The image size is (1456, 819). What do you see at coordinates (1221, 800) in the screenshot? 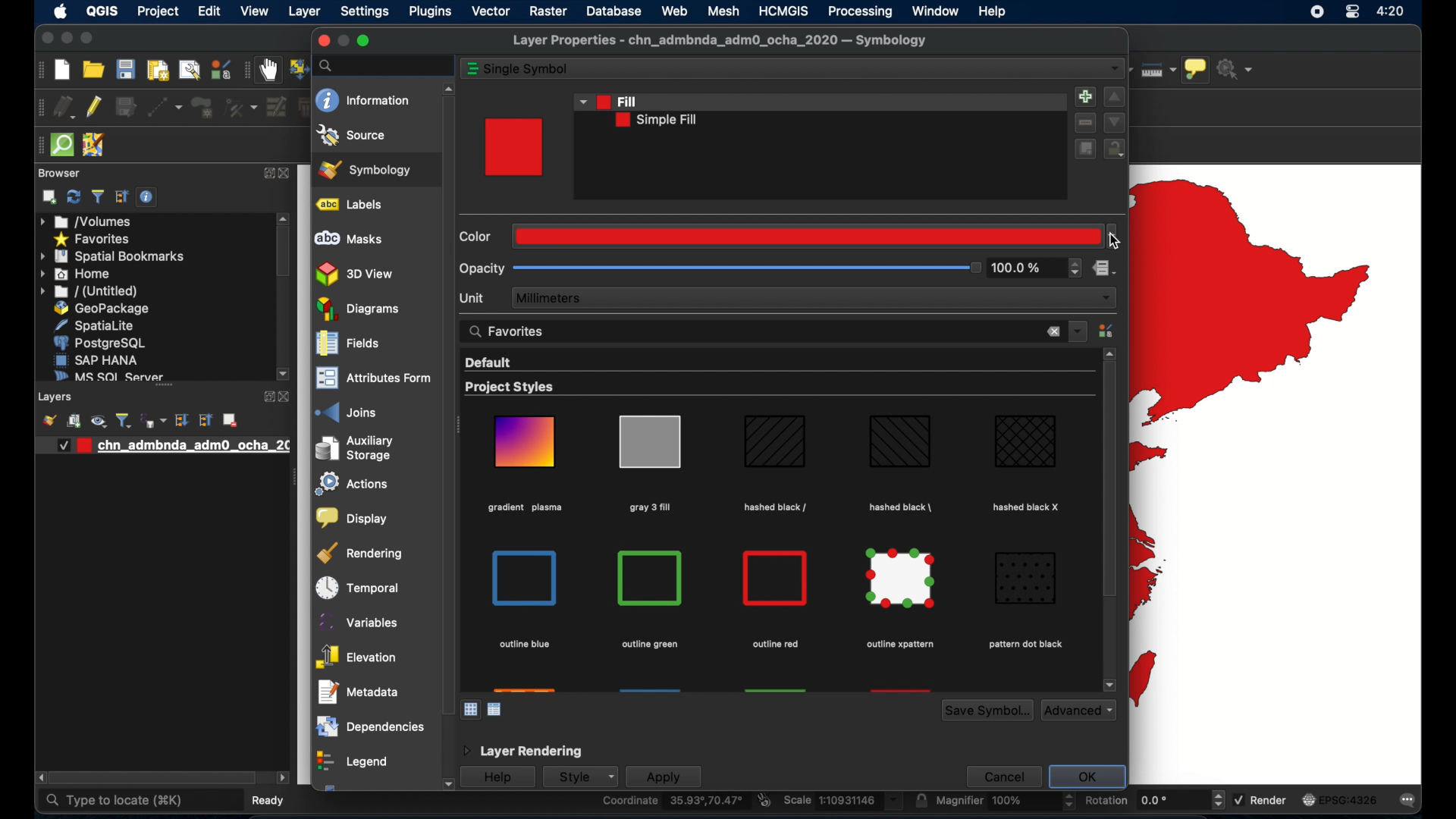
I see `increase or decrease rotation value` at bounding box center [1221, 800].